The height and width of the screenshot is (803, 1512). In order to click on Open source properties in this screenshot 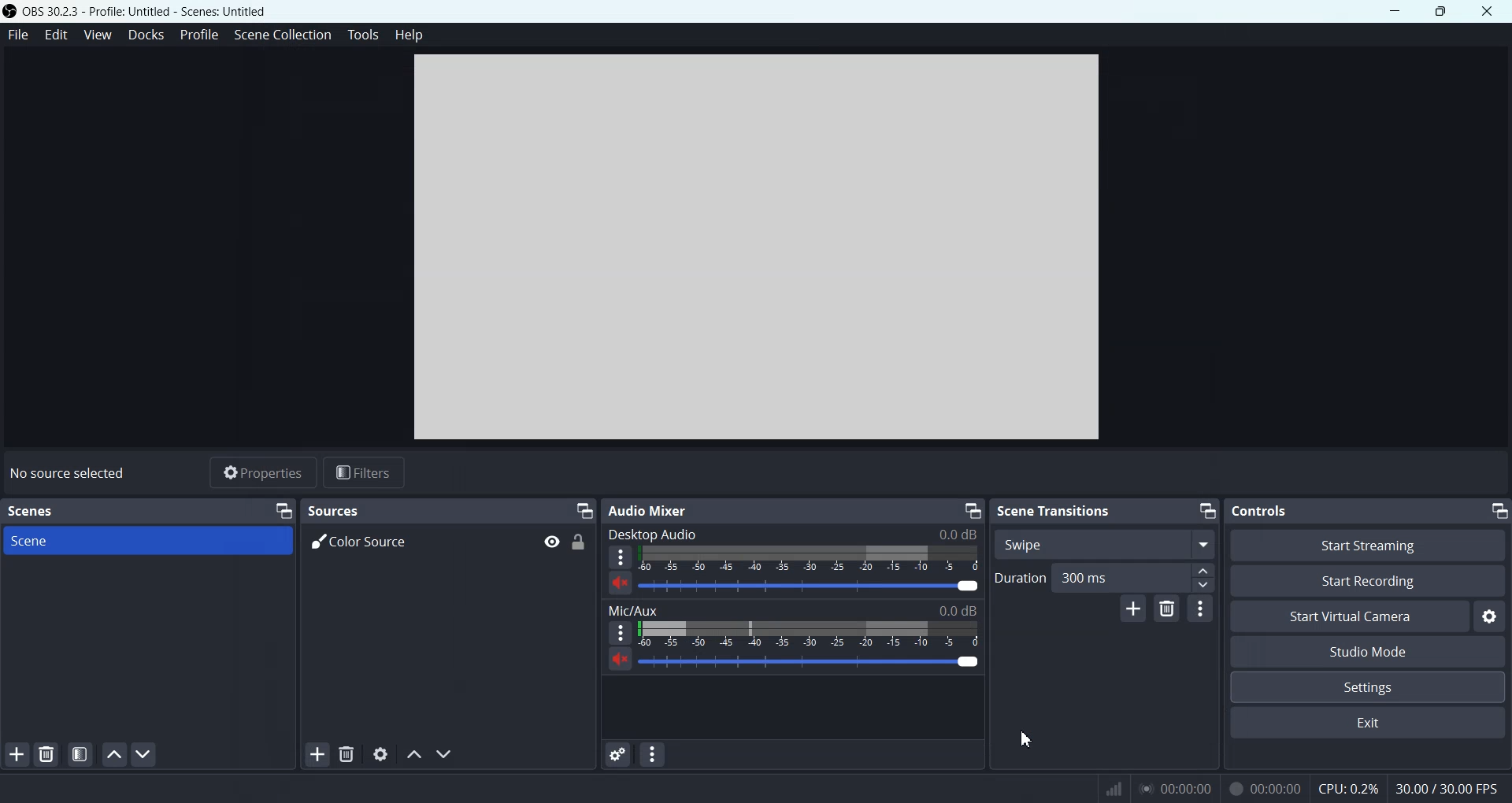, I will do `click(380, 754)`.